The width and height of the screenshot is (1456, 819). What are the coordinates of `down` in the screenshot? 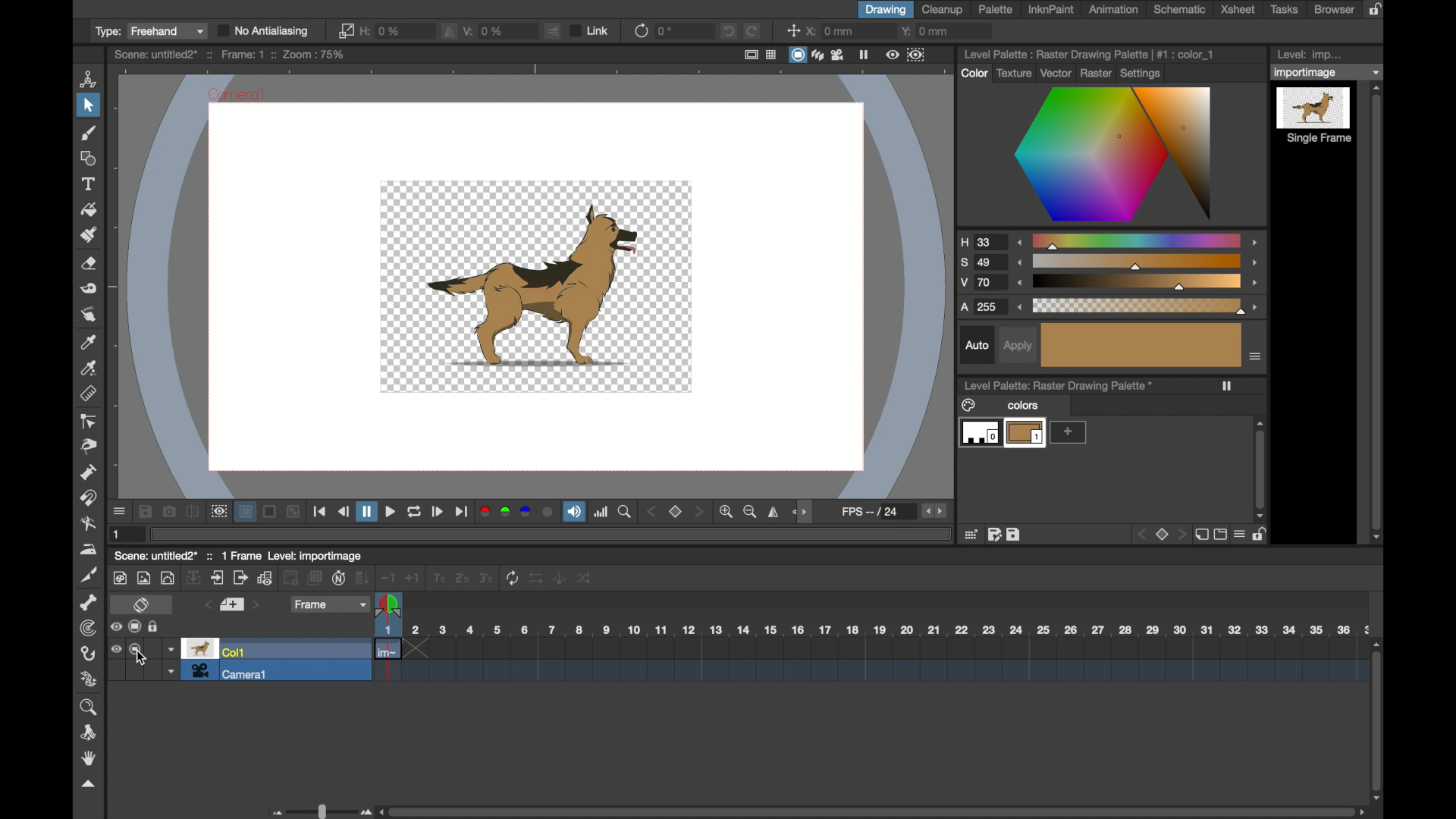 It's located at (194, 577).